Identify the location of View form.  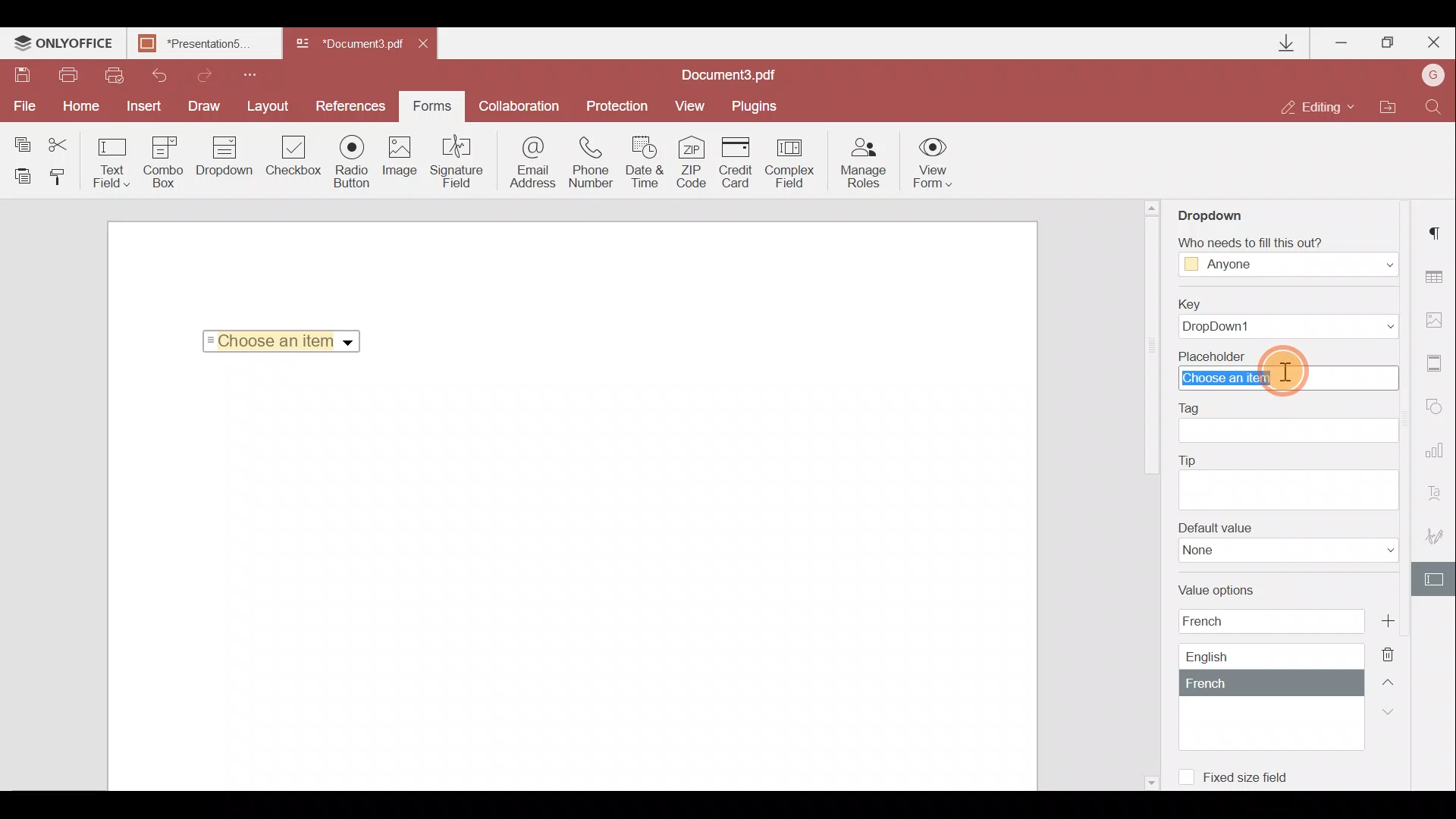
(934, 162).